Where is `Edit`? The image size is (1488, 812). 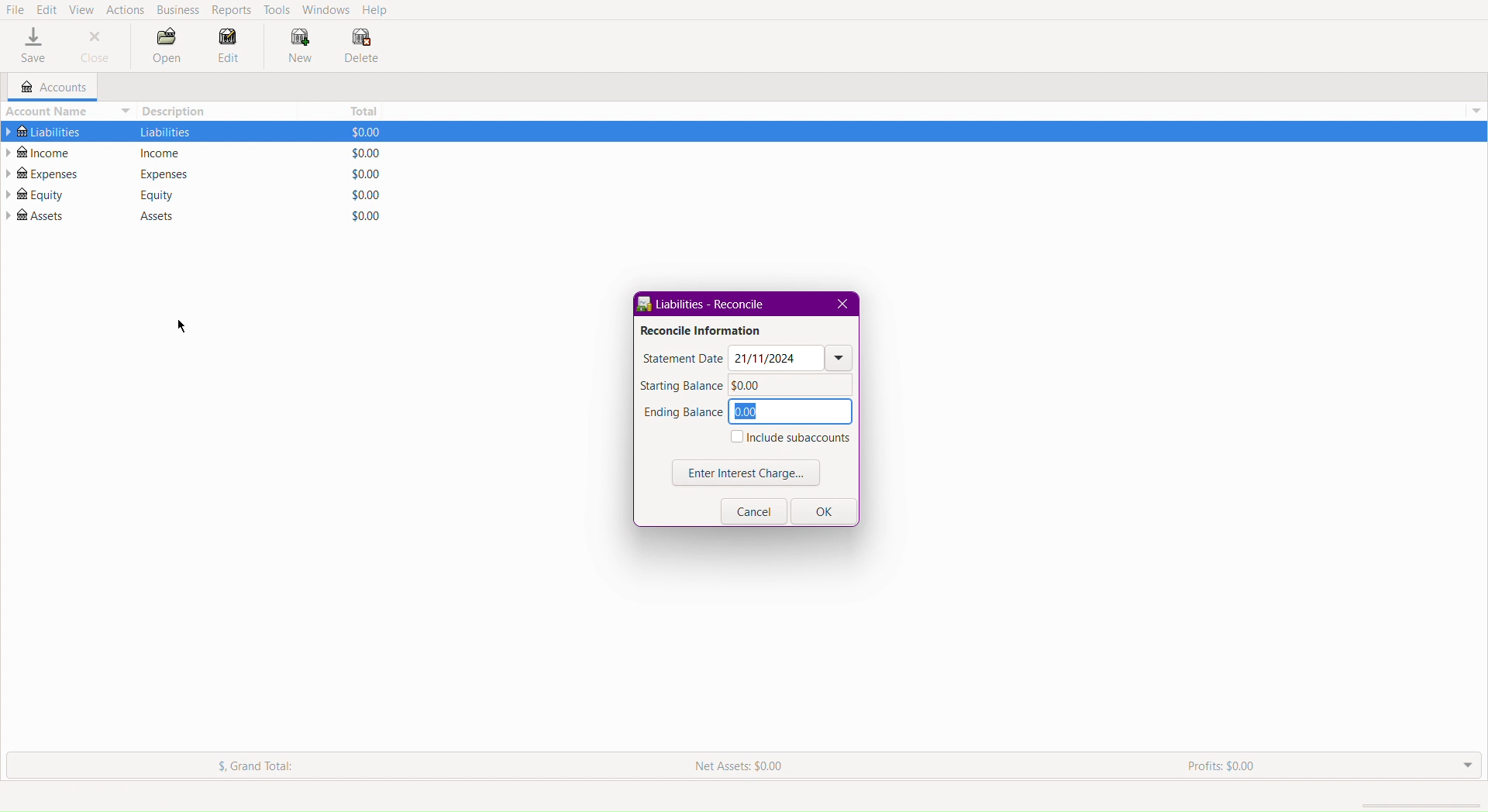 Edit is located at coordinates (48, 9).